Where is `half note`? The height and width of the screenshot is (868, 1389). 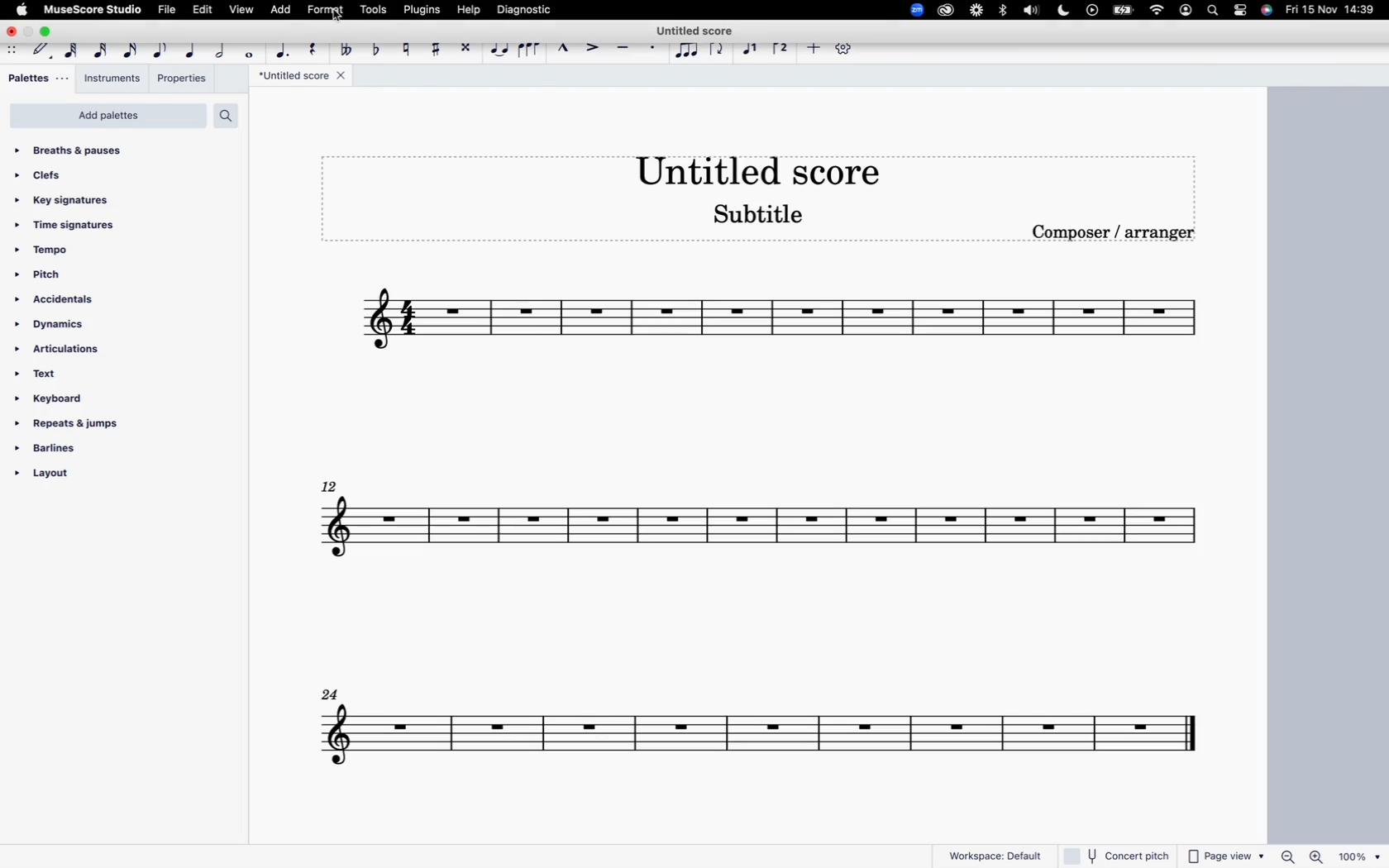 half note is located at coordinates (223, 53).